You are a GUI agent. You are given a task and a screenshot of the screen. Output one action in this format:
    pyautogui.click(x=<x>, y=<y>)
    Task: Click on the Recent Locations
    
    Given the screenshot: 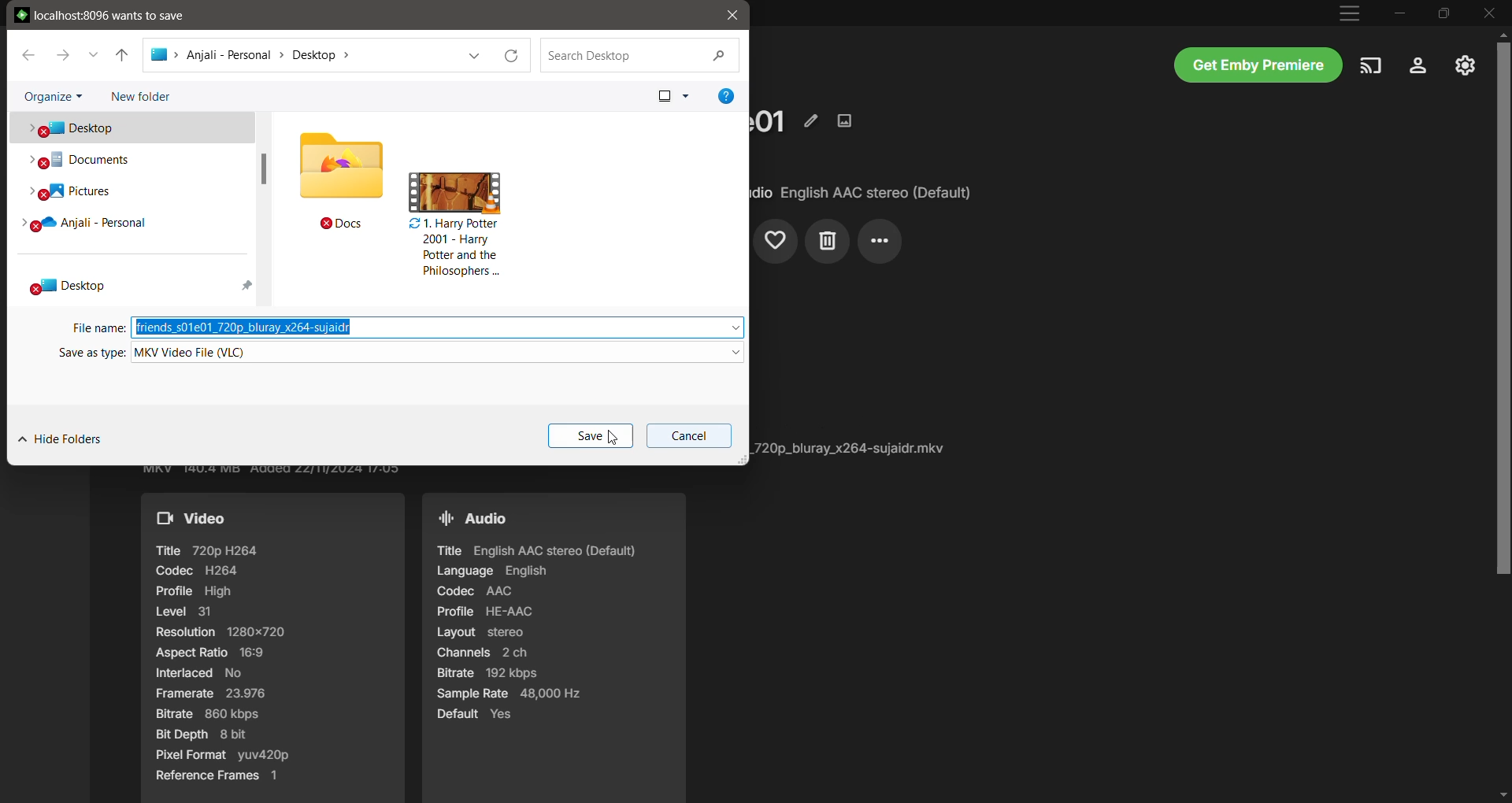 What is the action you would take?
    pyautogui.click(x=92, y=54)
    